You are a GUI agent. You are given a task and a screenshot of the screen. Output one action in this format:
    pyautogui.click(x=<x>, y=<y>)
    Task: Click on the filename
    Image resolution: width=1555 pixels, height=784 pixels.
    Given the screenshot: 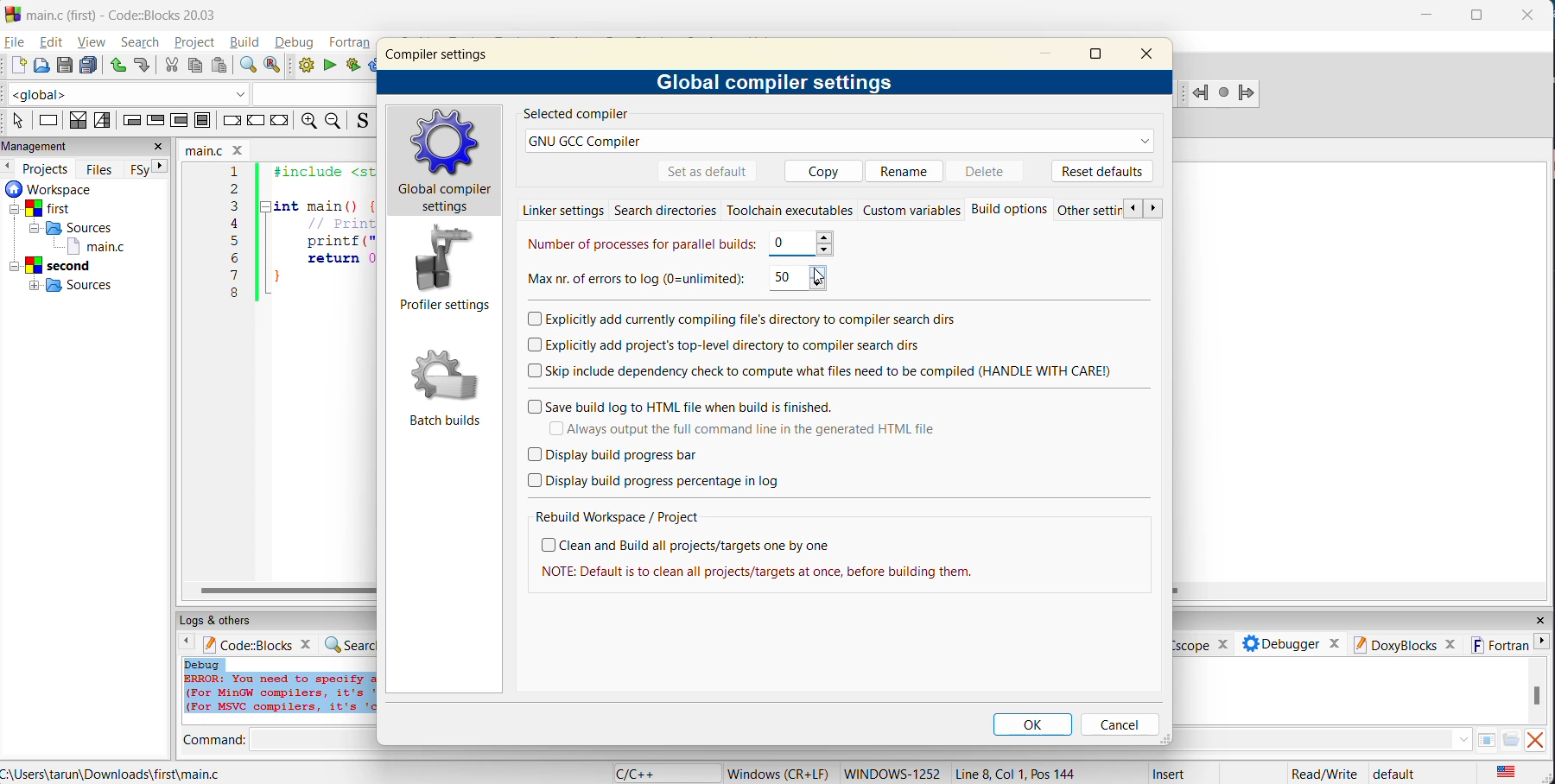 What is the action you would take?
    pyautogui.click(x=213, y=149)
    